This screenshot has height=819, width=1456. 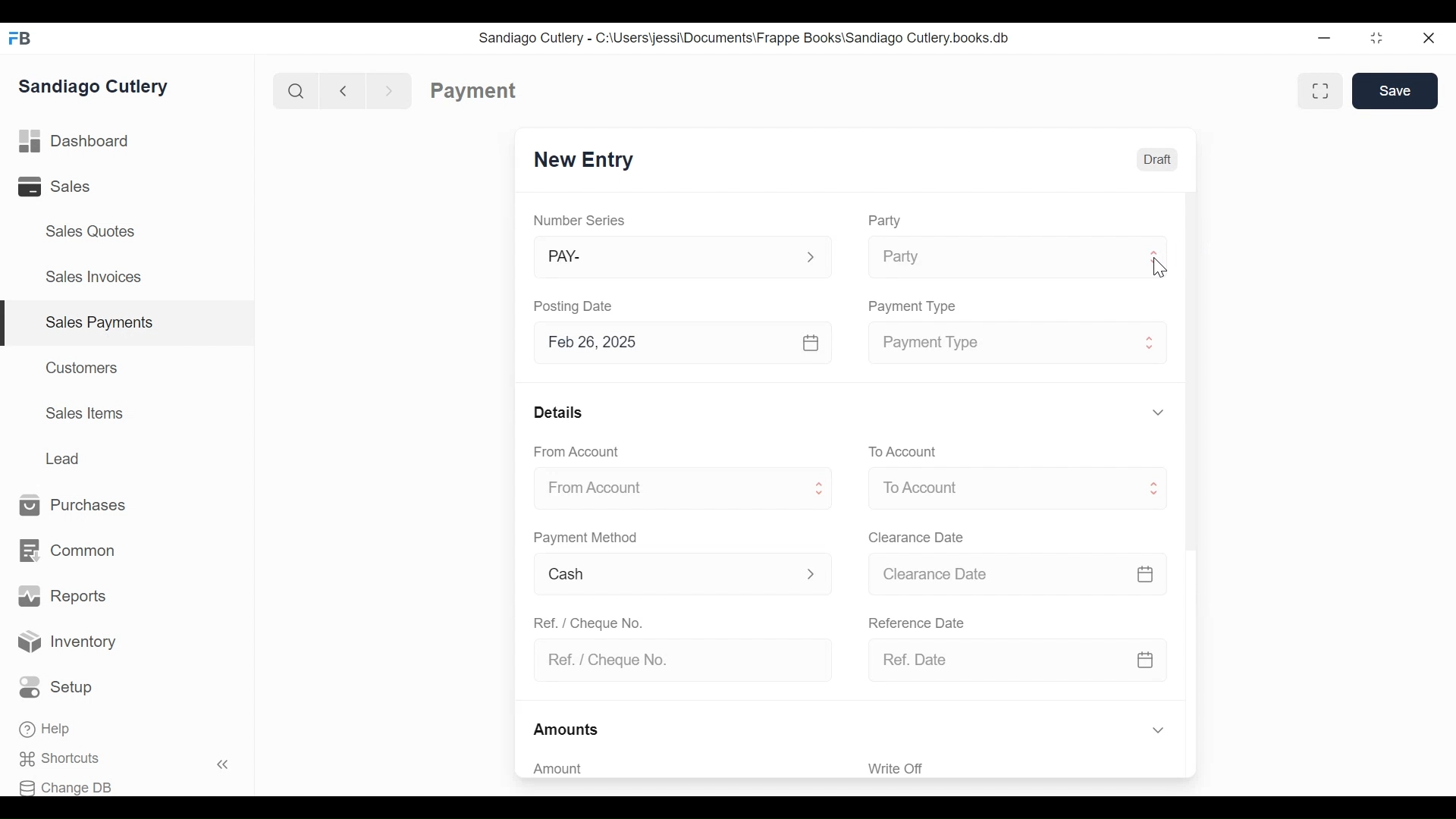 What do you see at coordinates (1430, 38) in the screenshot?
I see `Close ` at bounding box center [1430, 38].